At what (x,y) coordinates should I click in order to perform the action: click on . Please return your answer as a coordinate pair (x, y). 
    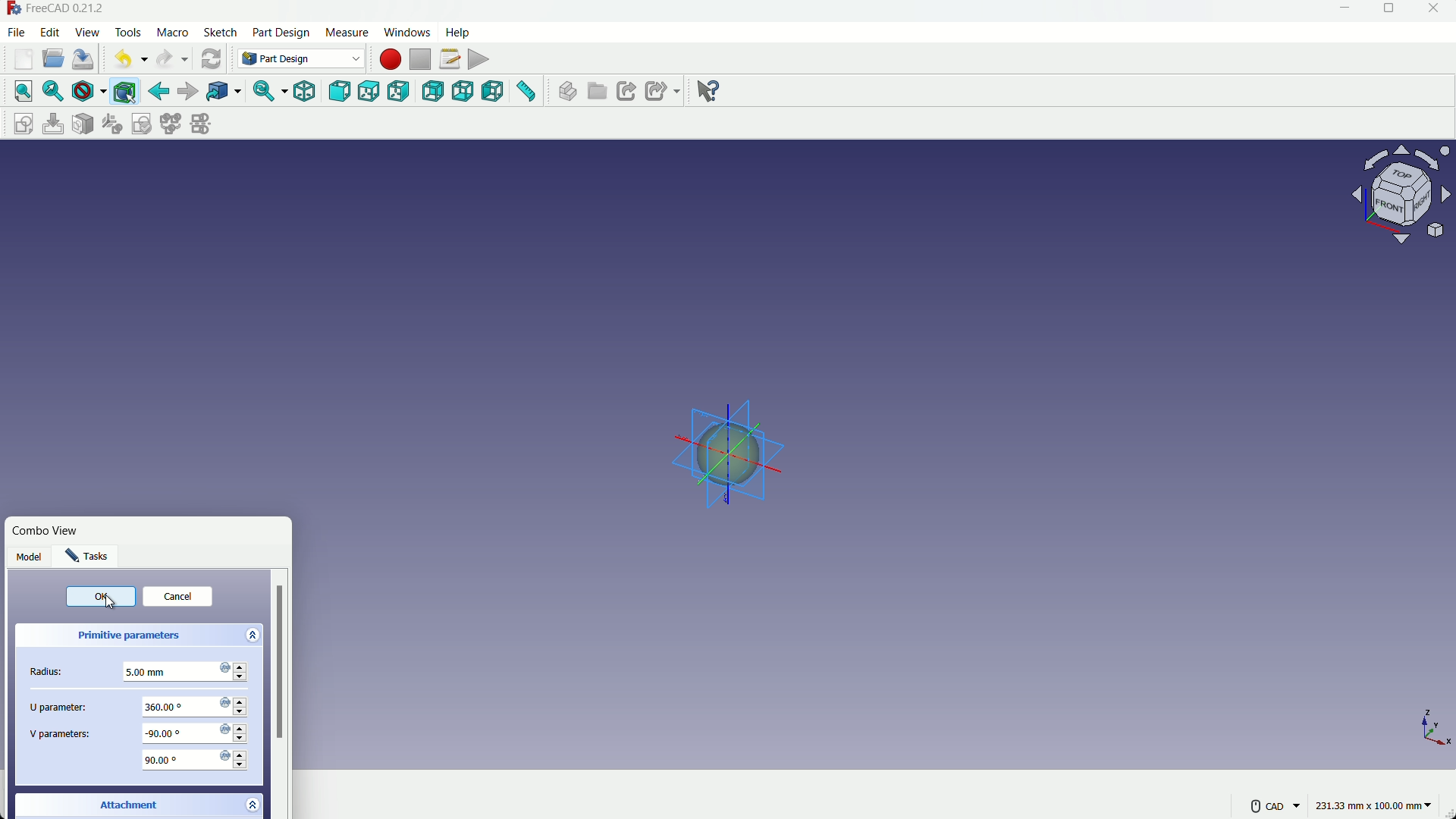
    Looking at the image, I should click on (1404, 197).